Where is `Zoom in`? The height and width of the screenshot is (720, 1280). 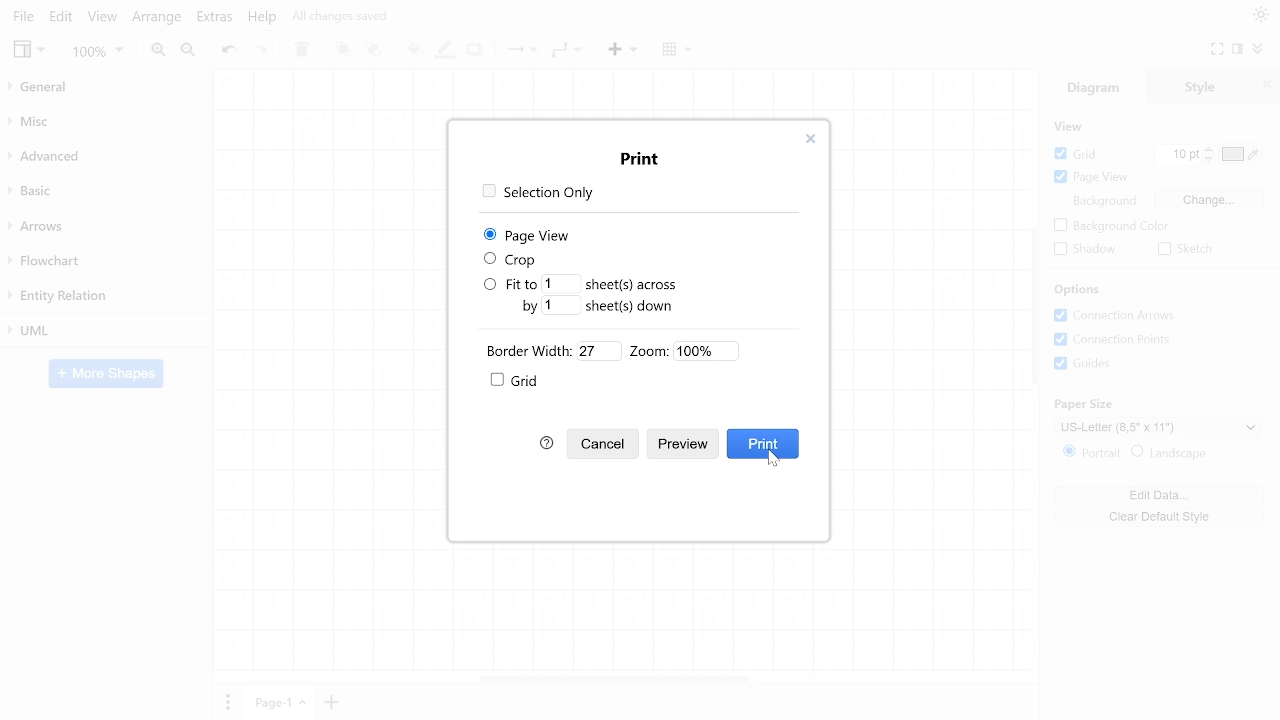 Zoom in is located at coordinates (157, 50).